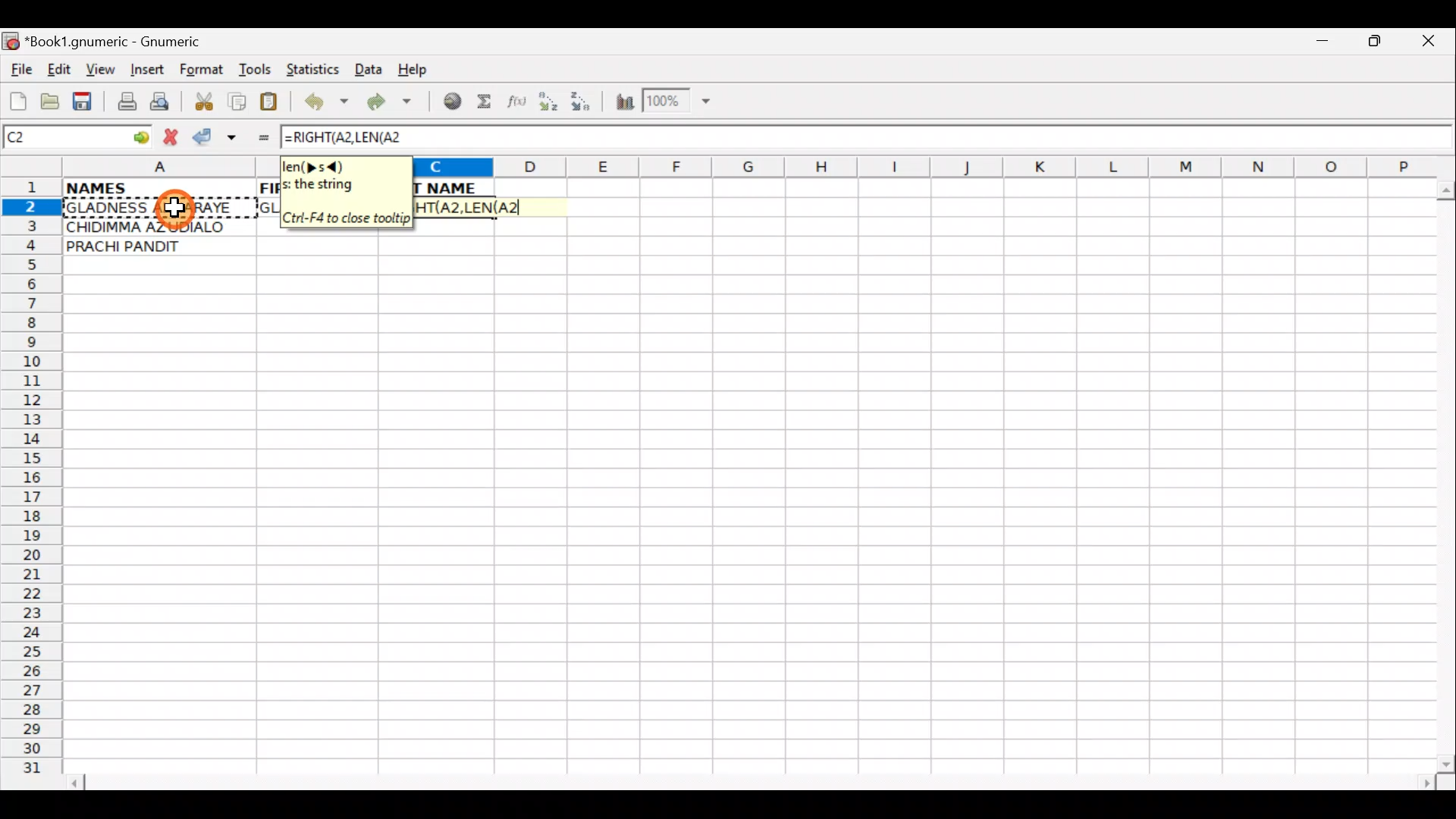 This screenshot has height=819, width=1456. Describe the element at coordinates (413, 70) in the screenshot. I see `Help` at that location.